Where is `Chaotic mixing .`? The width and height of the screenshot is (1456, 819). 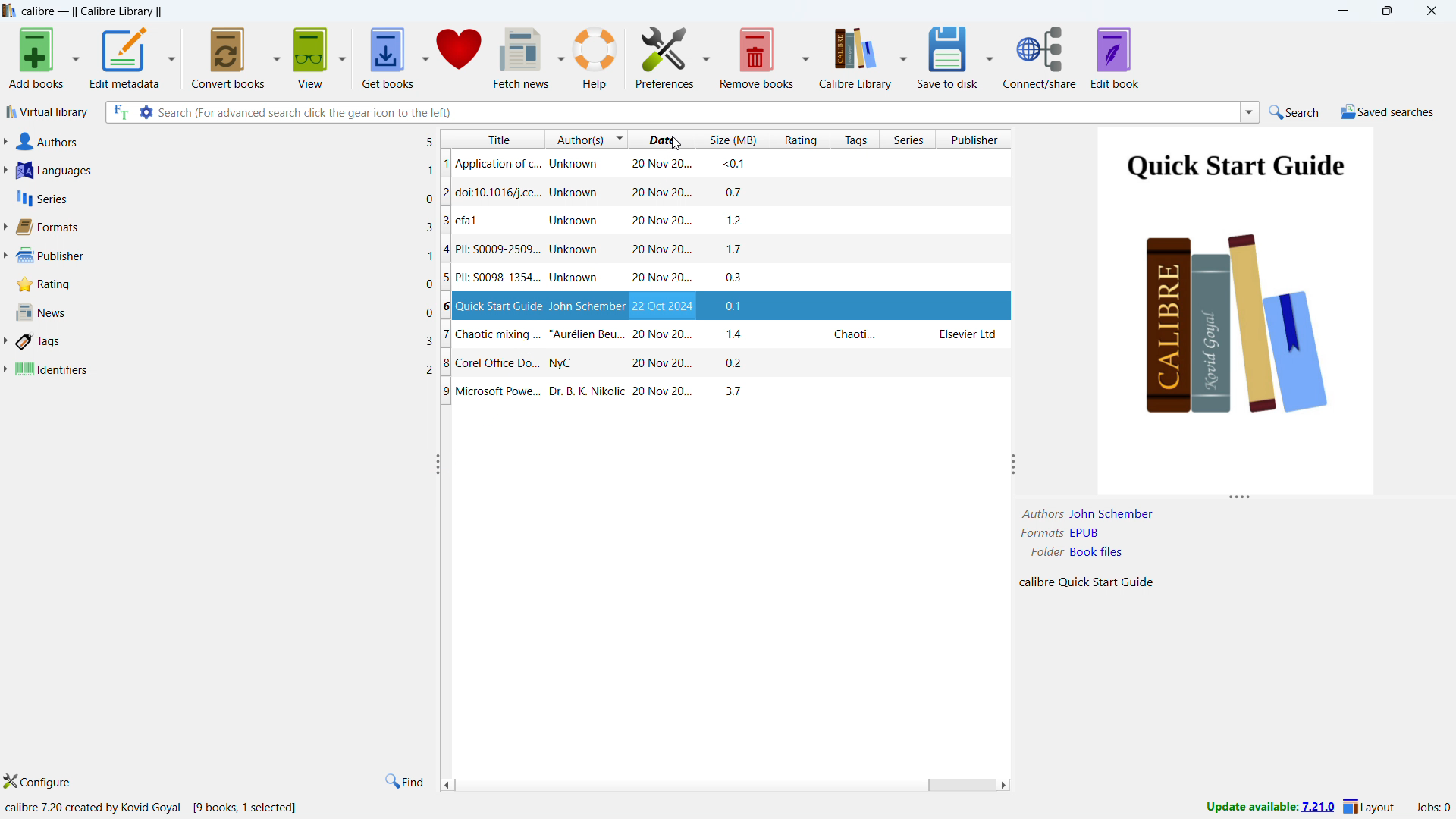 Chaotic mixing . is located at coordinates (493, 336).